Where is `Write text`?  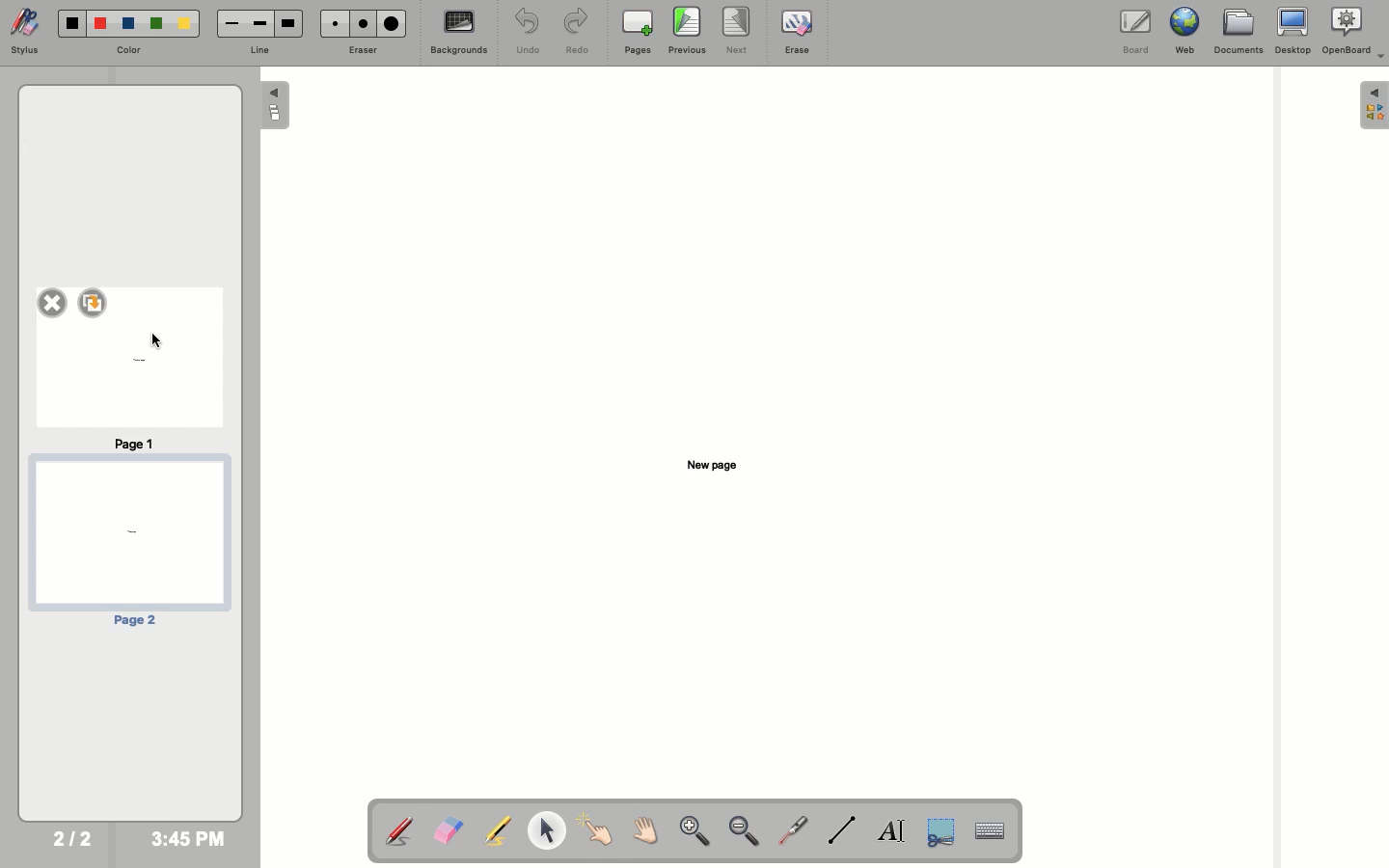
Write text is located at coordinates (892, 833).